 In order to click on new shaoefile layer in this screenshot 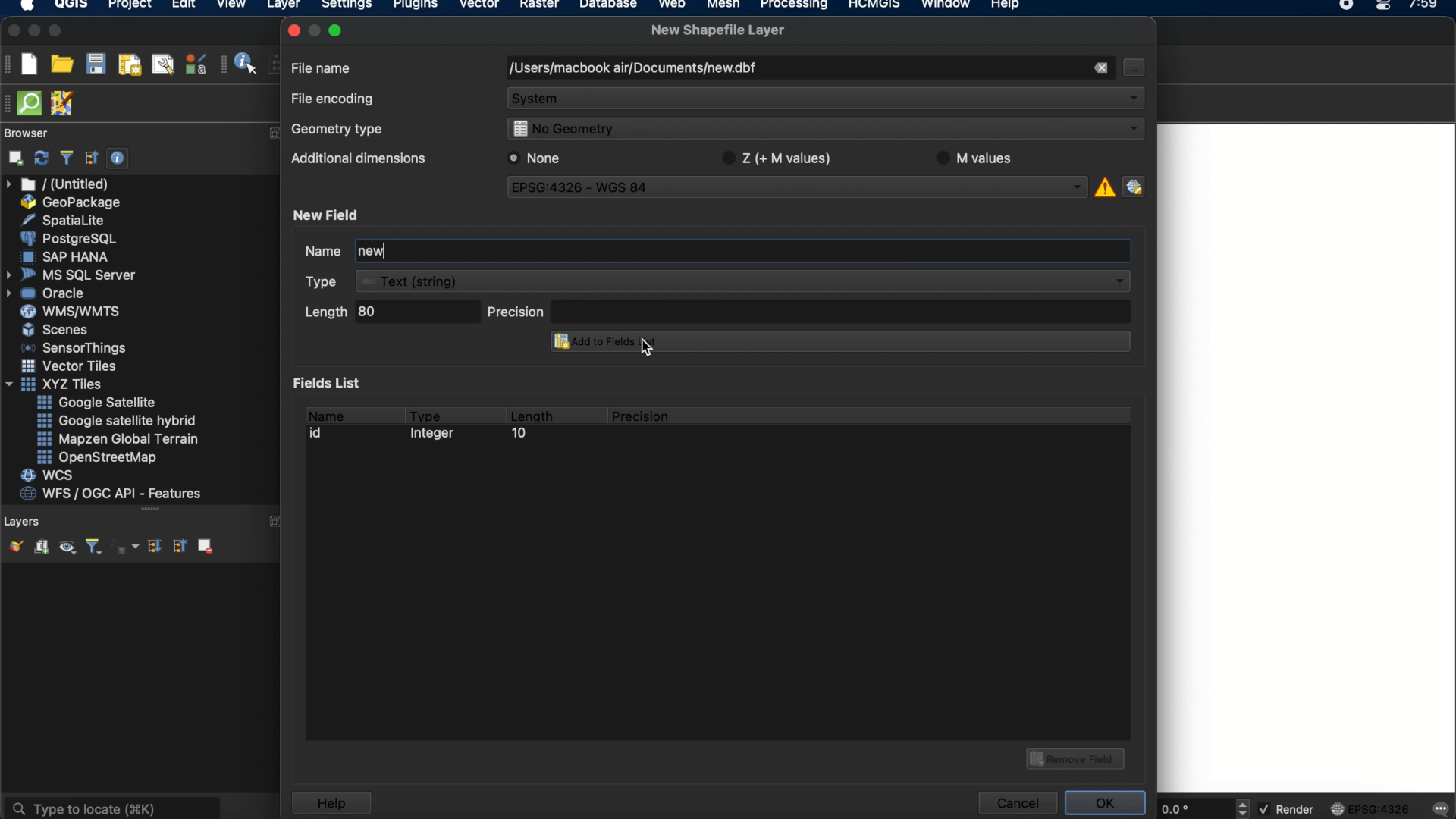, I will do `click(718, 30)`.